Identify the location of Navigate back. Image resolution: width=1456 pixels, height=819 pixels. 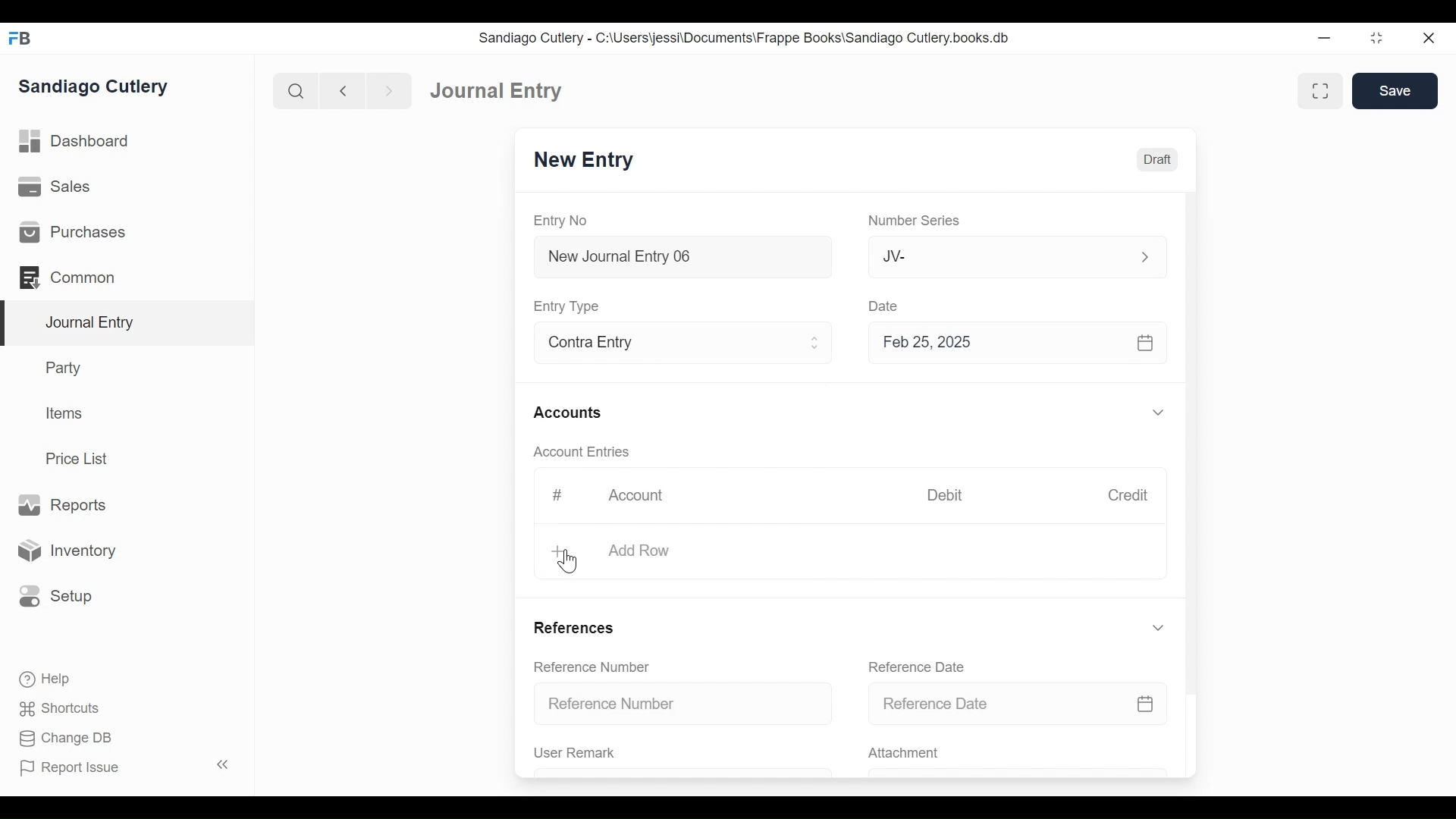
(343, 93).